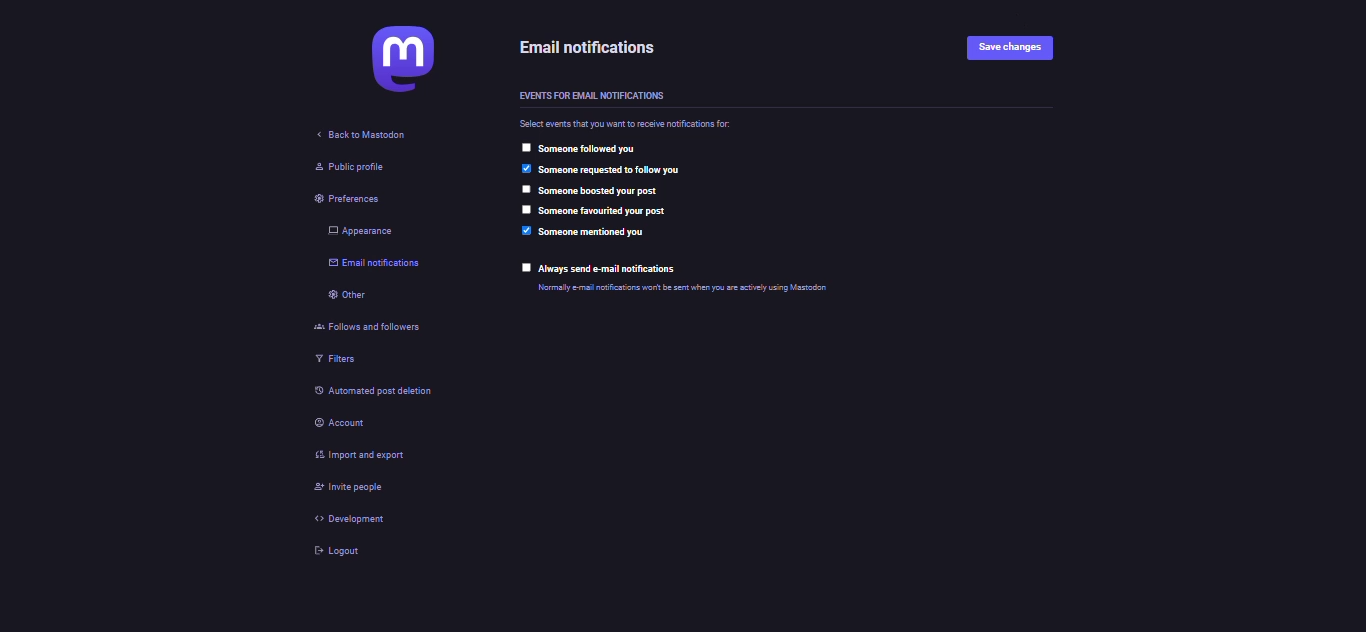 The image size is (1366, 632). I want to click on invite people, so click(349, 488).